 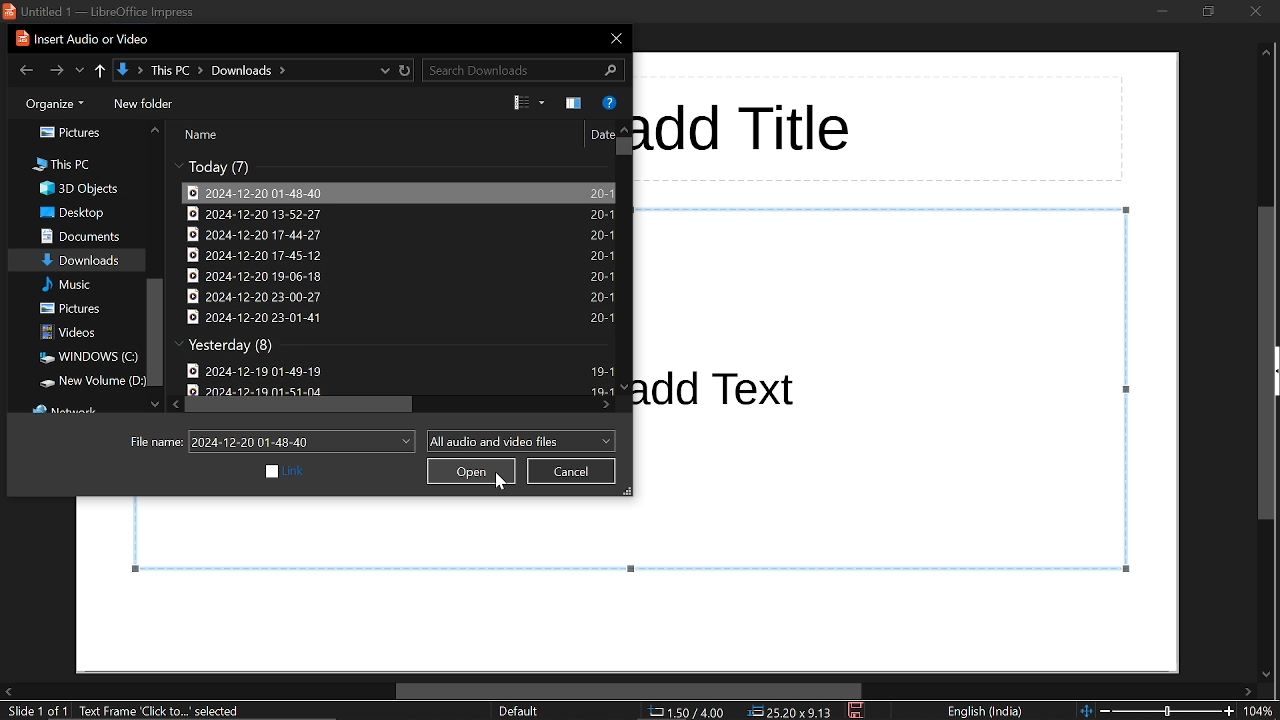 What do you see at coordinates (75, 214) in the screenshot?
I see `desktop` at bounding box center [75, 214].